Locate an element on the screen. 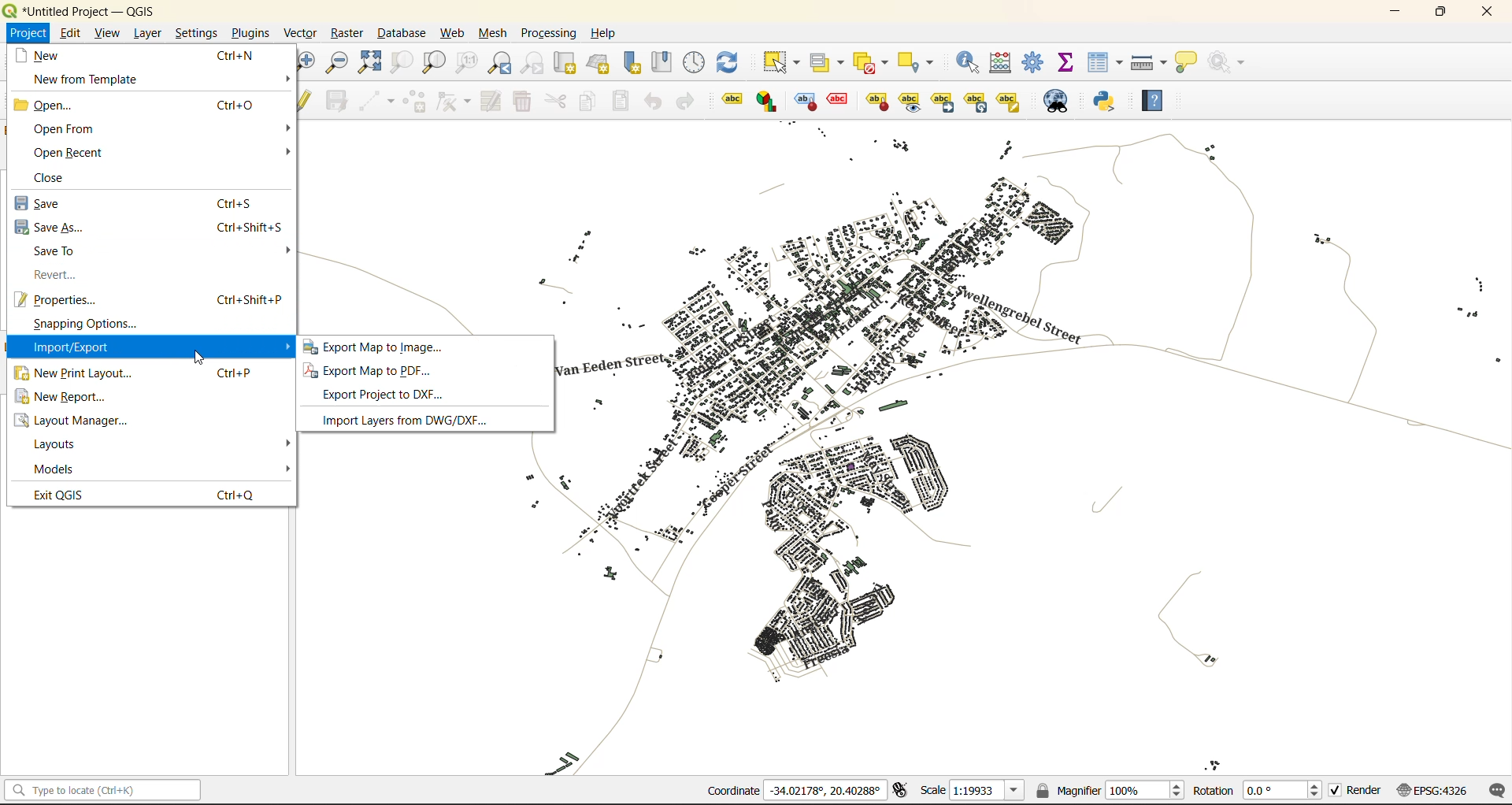  view is located at coordinates (104, 32).